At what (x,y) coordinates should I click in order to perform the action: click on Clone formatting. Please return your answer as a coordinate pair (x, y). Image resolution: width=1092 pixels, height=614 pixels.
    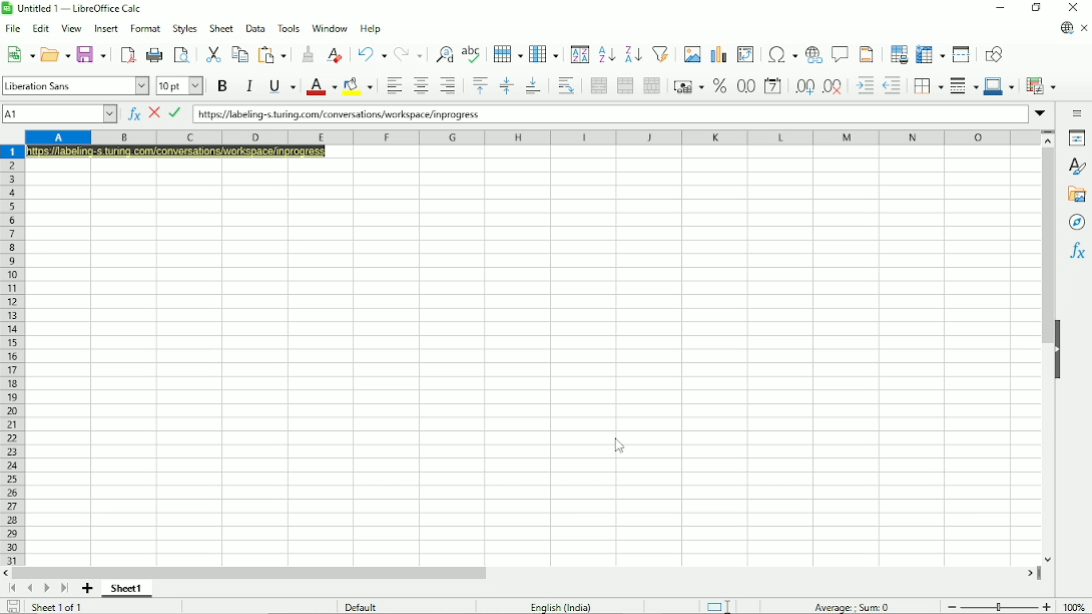
    Looking at the image, I should click on (308, 54).